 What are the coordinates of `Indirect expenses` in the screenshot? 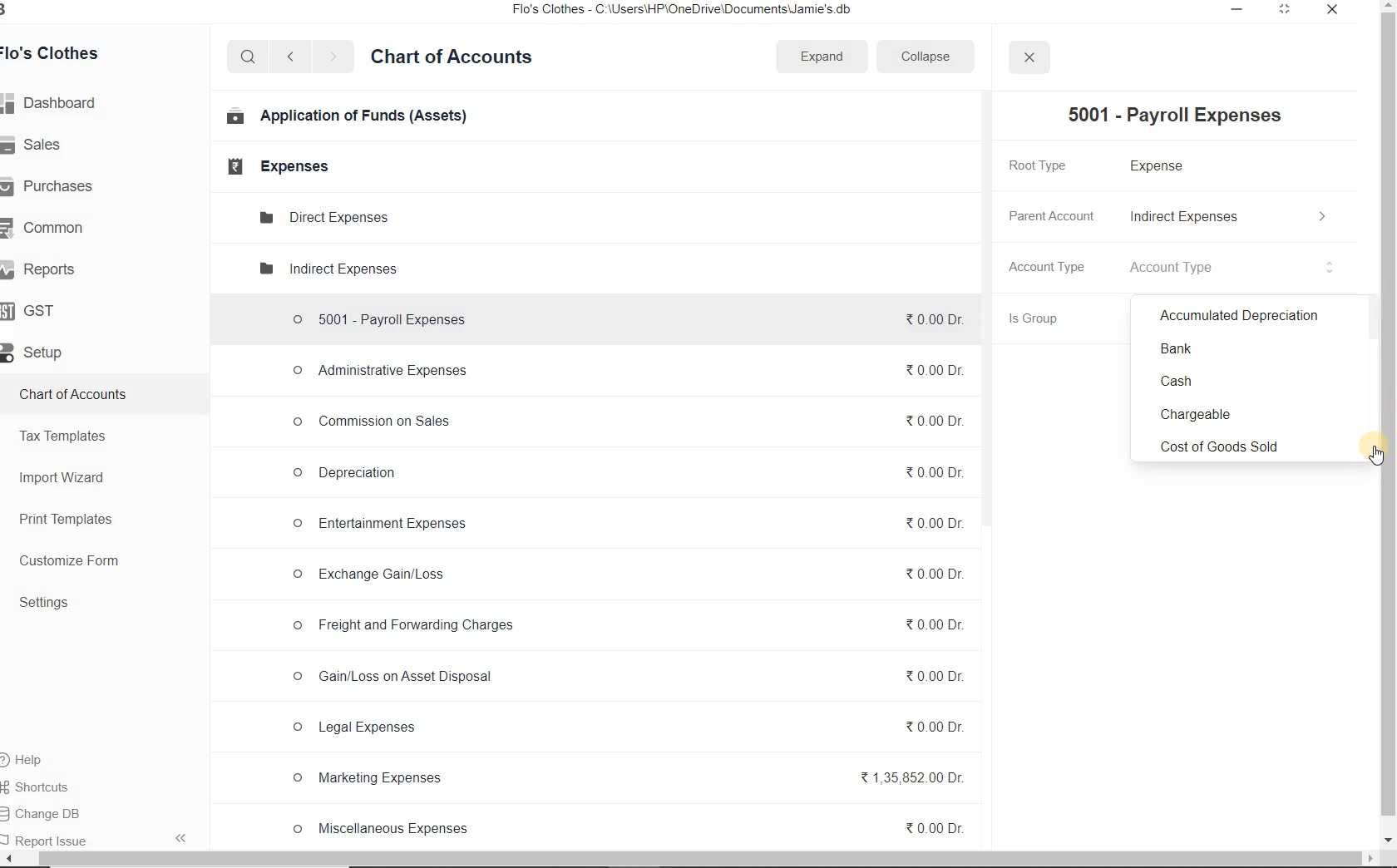 It's located at (326, 269).